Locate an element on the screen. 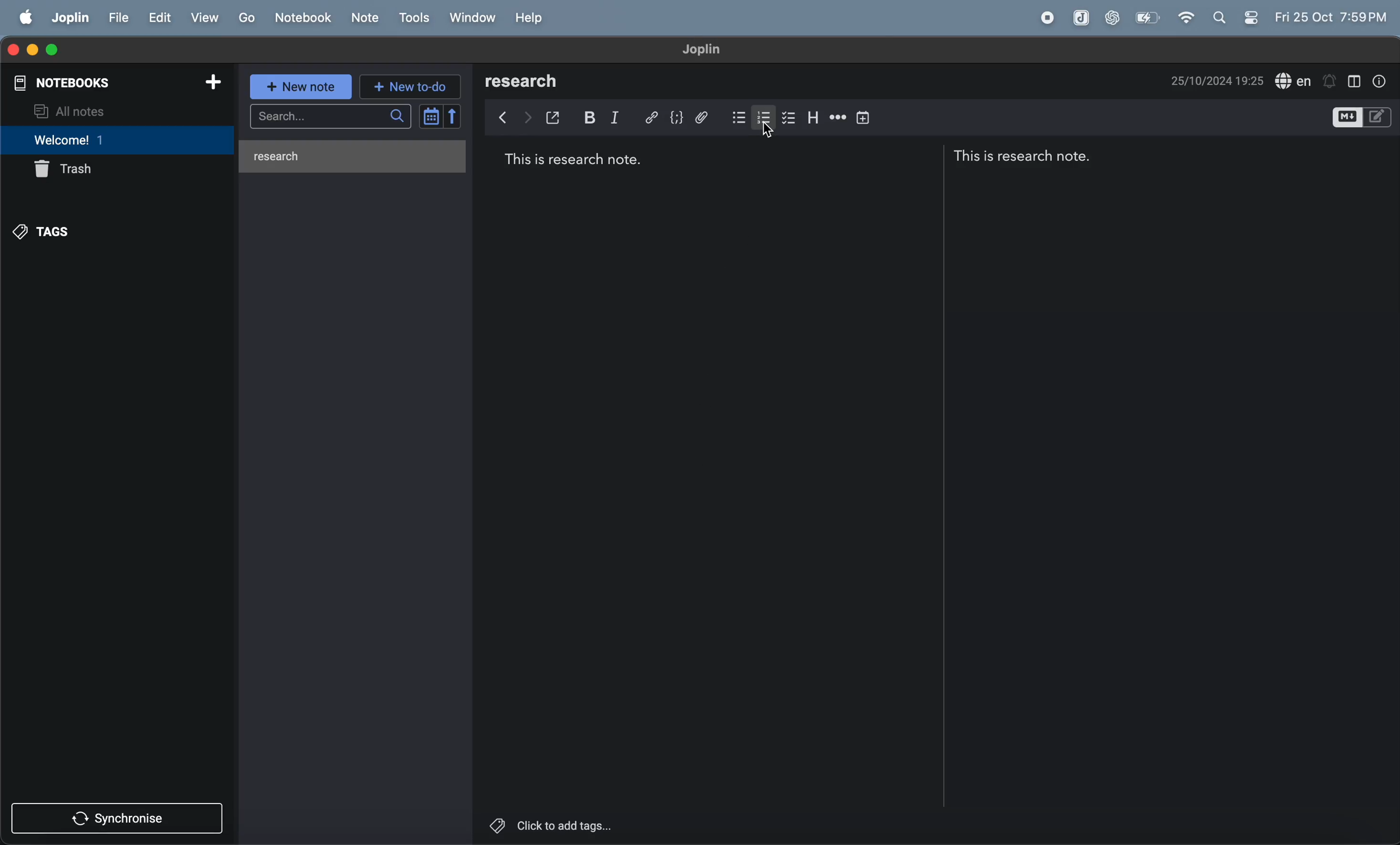 This screenshot has width=1400, height=845. joplin menu is located at coordinates (69, 16).